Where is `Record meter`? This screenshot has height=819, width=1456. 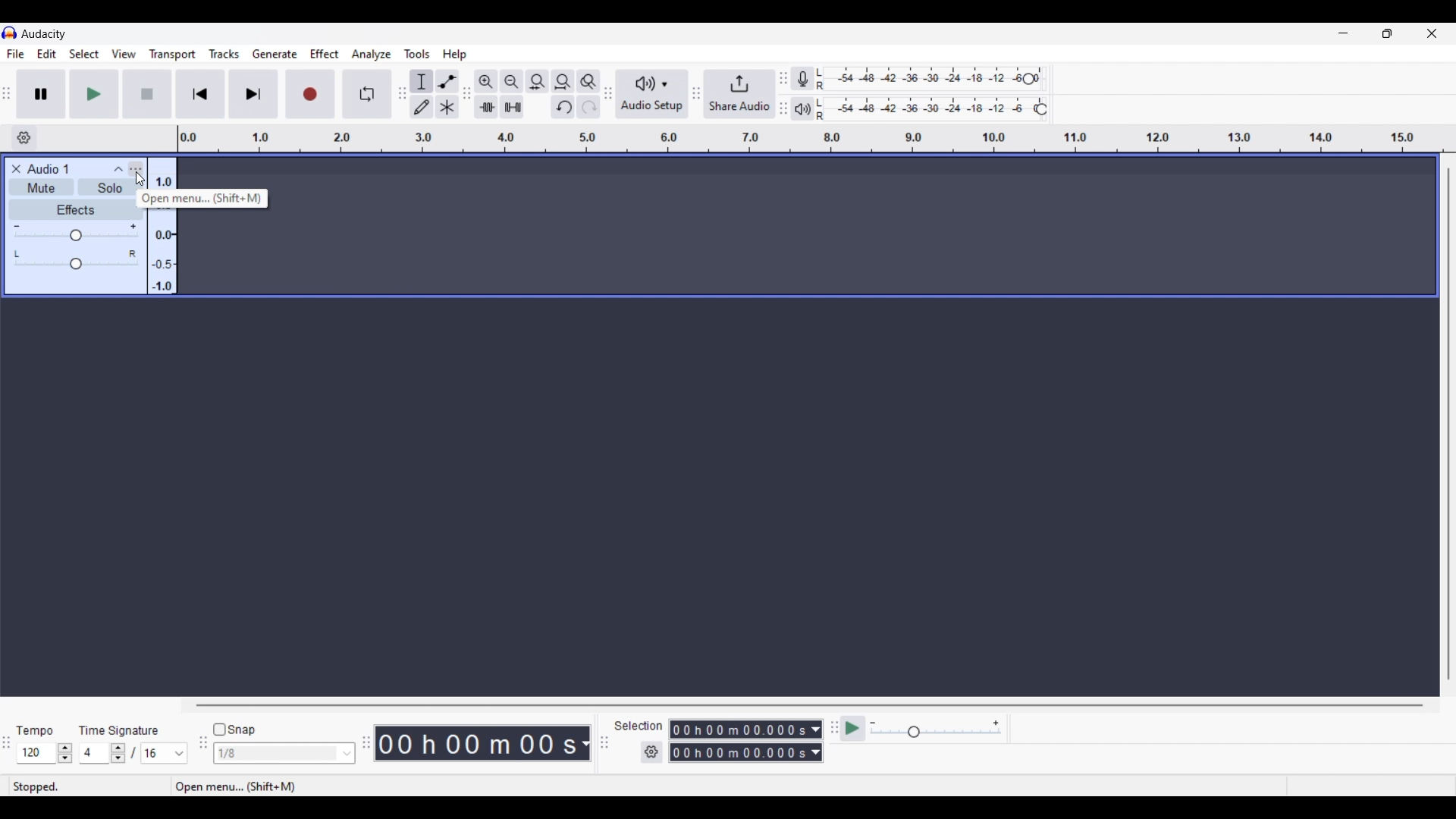 Record meter is located at coordinates (810, 79).